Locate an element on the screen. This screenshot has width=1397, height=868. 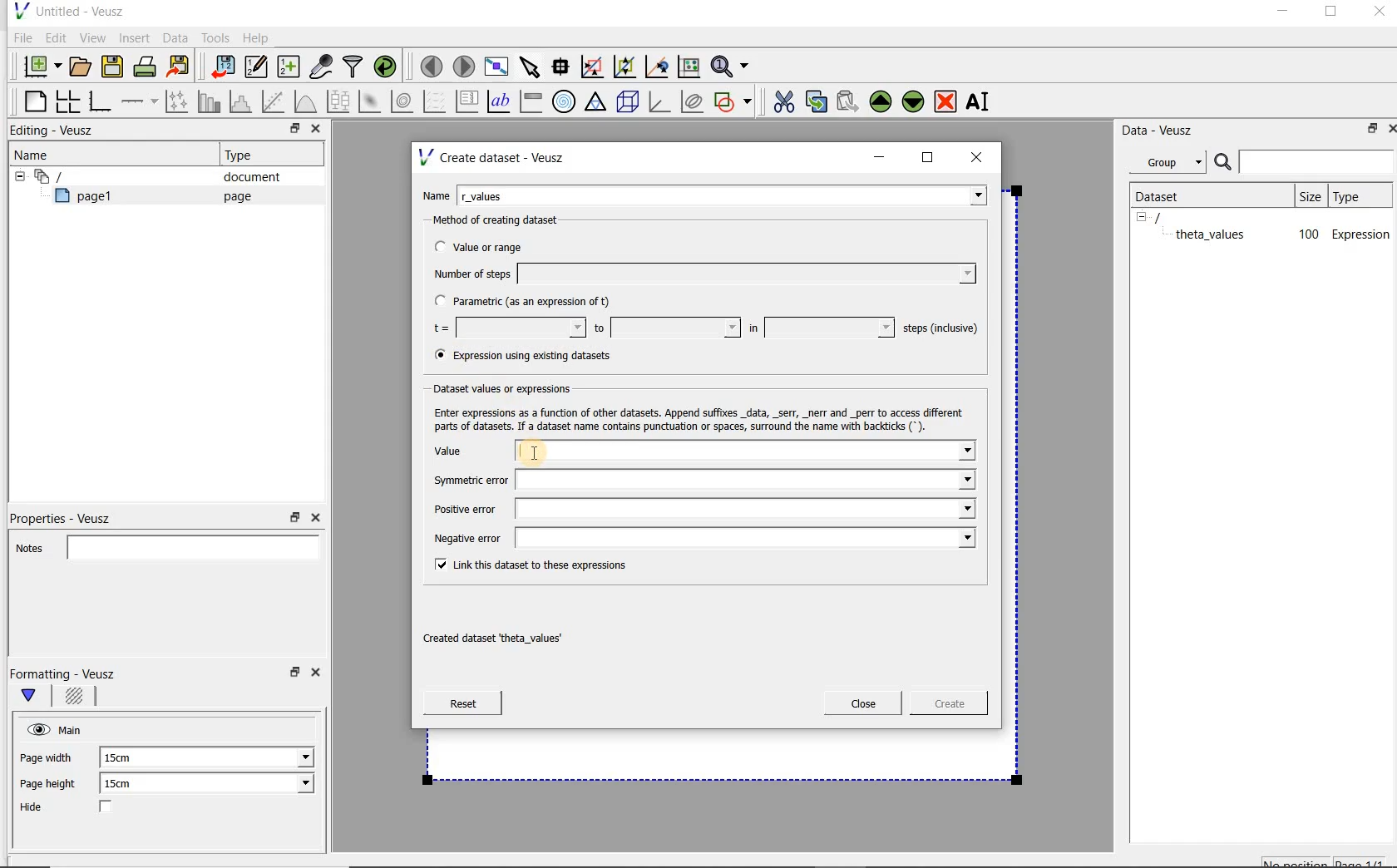
add a shape to the plot is located at coordinates (734, 100).